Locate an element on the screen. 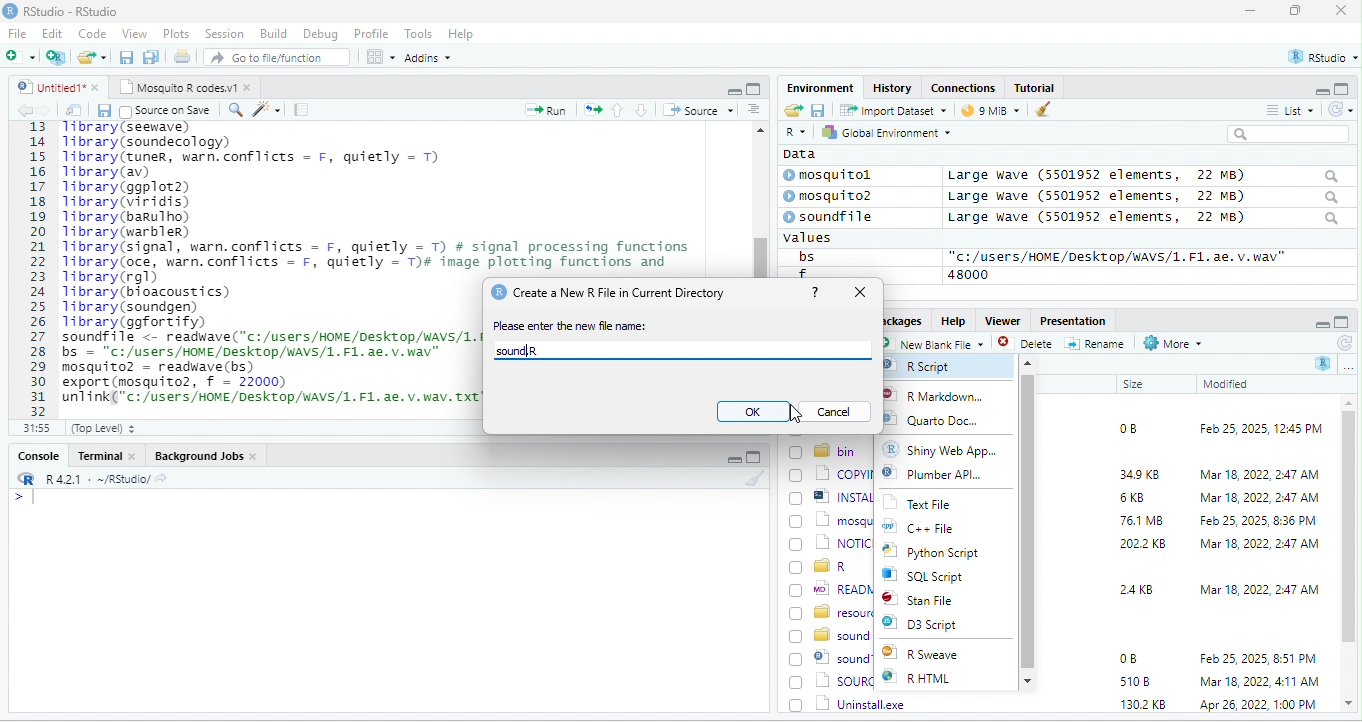 The image size is (1362, 722). Large wave (550139372 elements, JZ MB) is located at coordinates (1145, 196).